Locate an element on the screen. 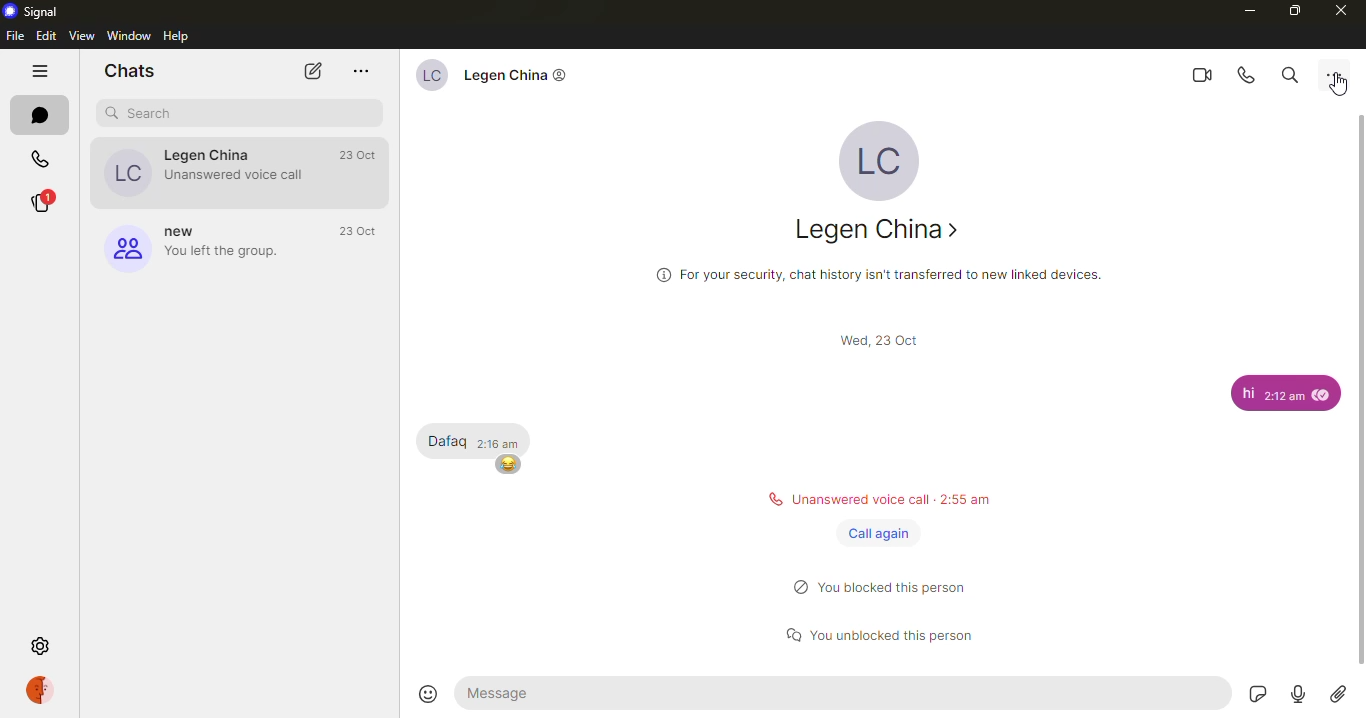 The height and width of the screenshot is (718, 1366). time is located at coordinates (363, 229).